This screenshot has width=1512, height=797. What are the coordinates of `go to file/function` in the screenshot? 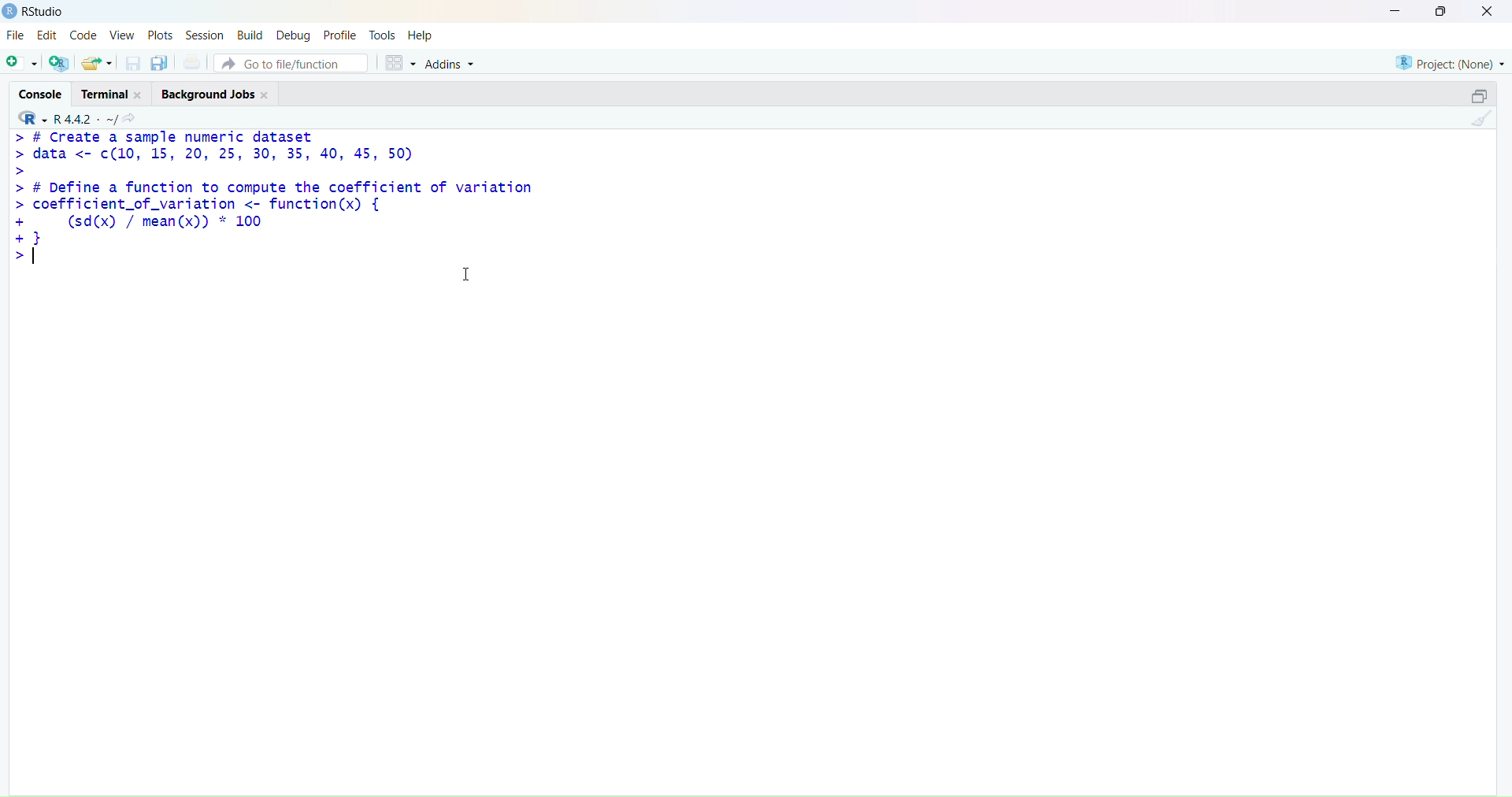 It's located at (291, 64).